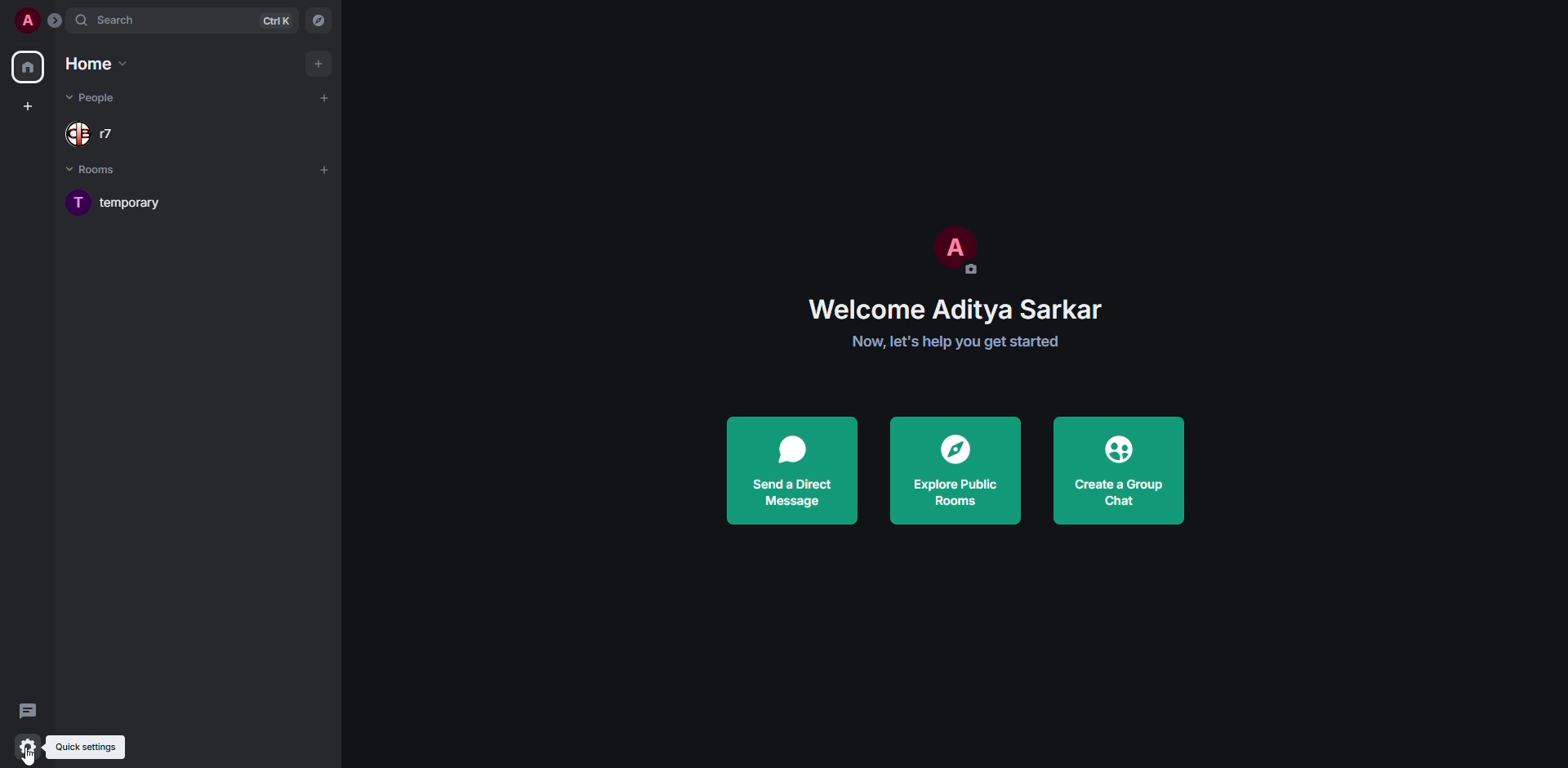  What do you see at coordinates (953, 469) in the screenshot?
I see `explore public rooms` at bounding box center [953, 469].